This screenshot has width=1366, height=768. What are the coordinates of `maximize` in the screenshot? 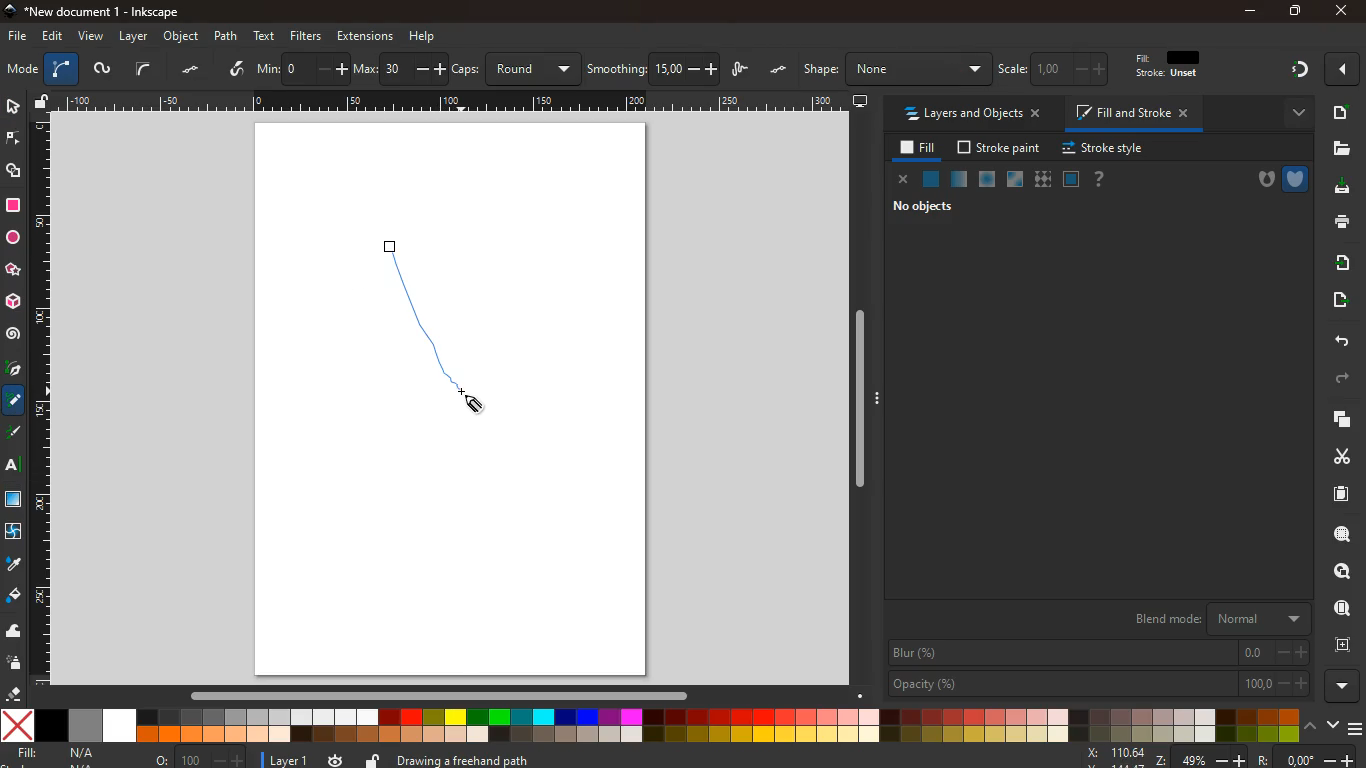 It's located at (1296, 13).